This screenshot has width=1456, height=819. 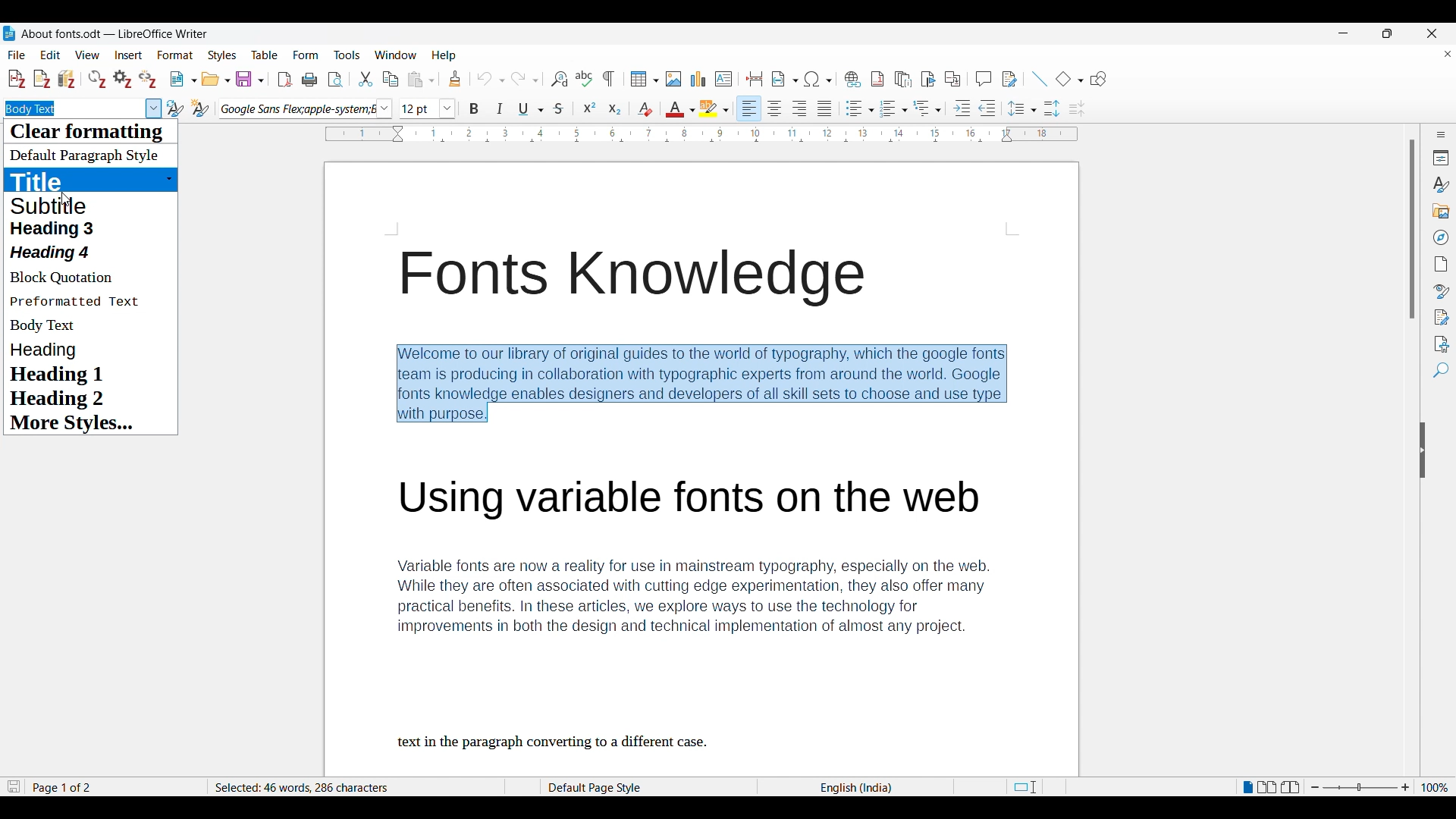 I want to click on Paste, so click(x=421, y=80).